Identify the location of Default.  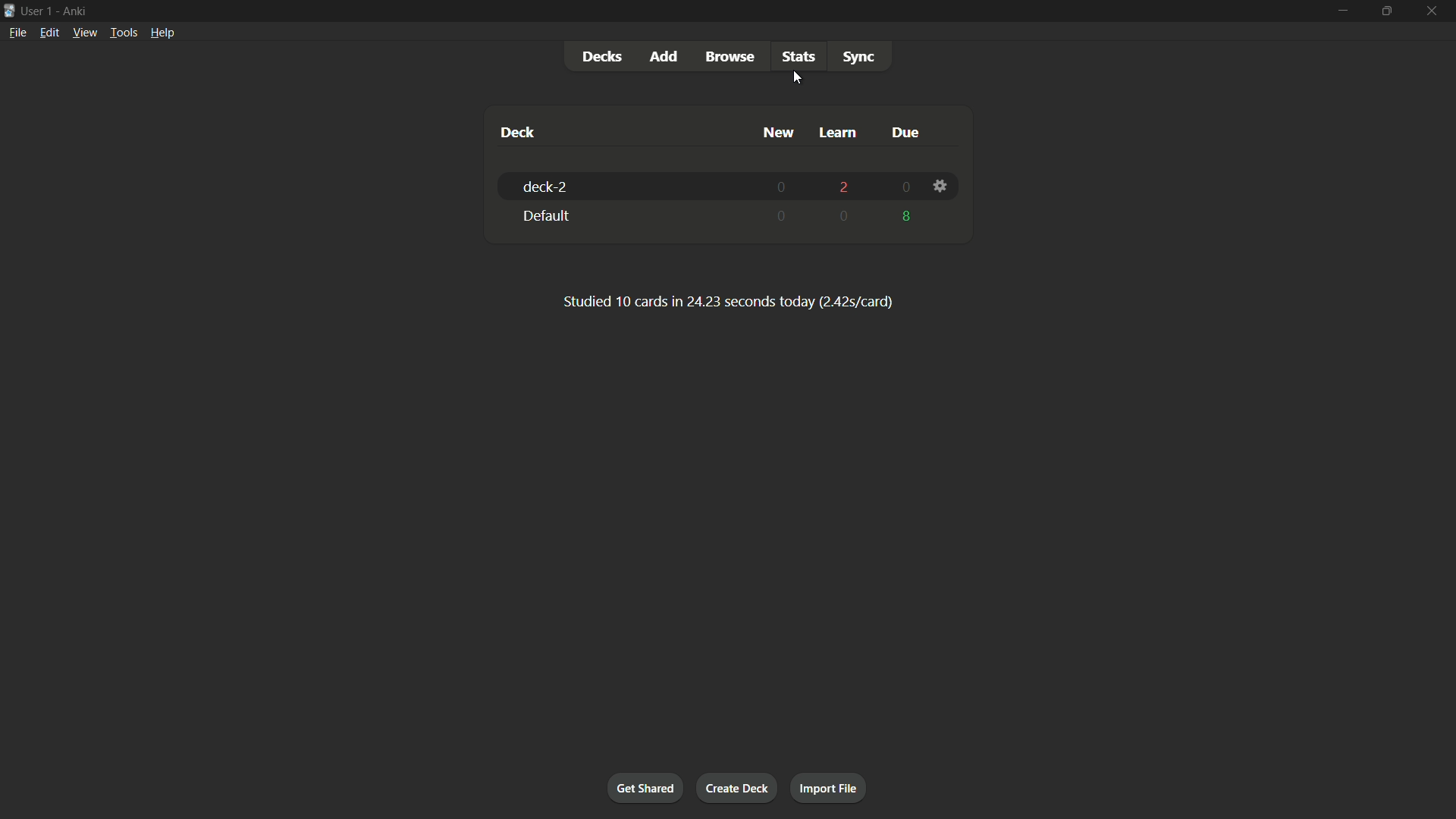
(544, 215).